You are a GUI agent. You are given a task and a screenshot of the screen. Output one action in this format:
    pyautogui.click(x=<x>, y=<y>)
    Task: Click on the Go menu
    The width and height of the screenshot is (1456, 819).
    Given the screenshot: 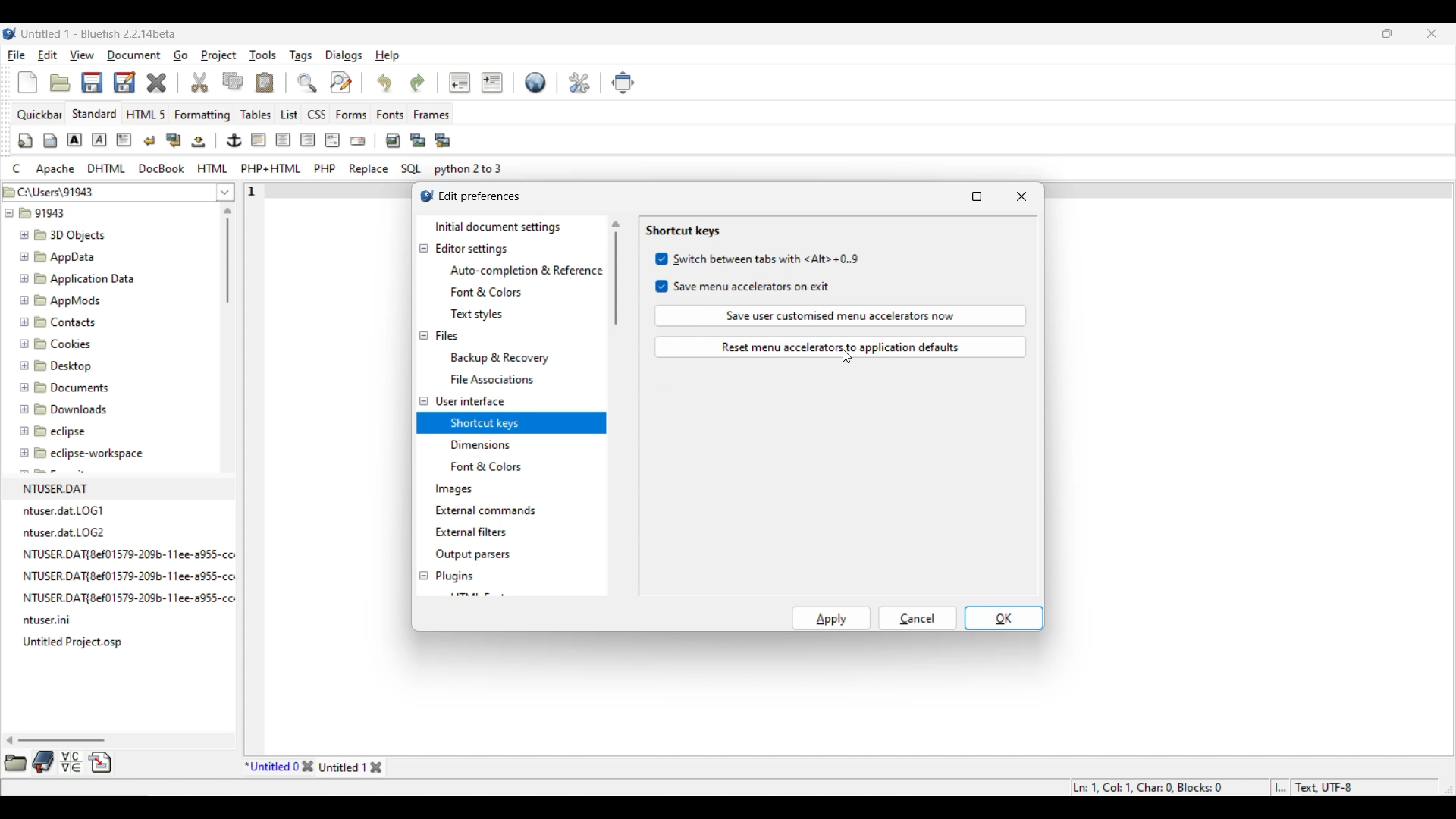 What is the action you would take?
    pyautogui.click(x=180, y=55)
    